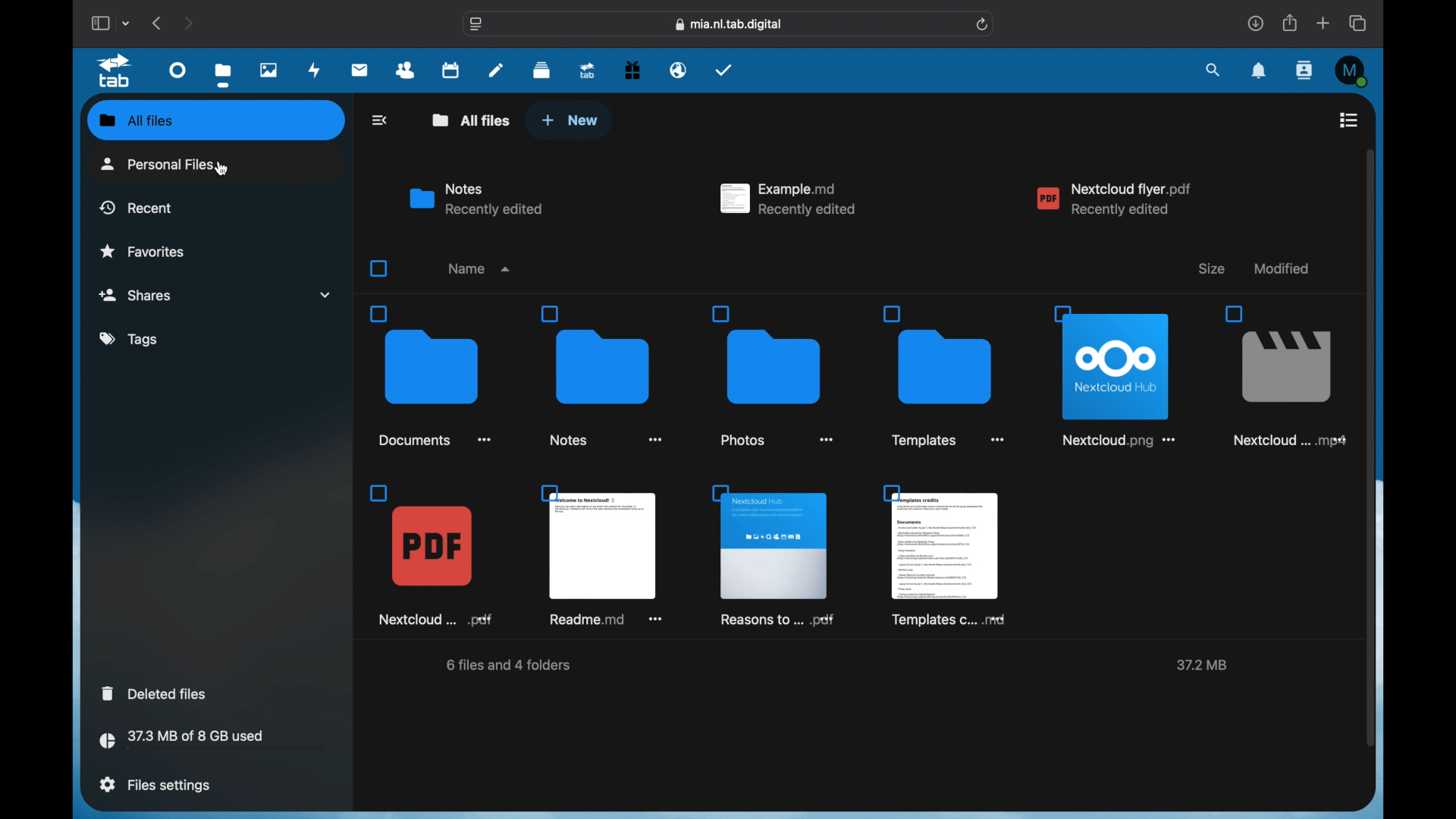 The image size is (1456, 819). I want to click on nextcloud, so click(1115, 199).